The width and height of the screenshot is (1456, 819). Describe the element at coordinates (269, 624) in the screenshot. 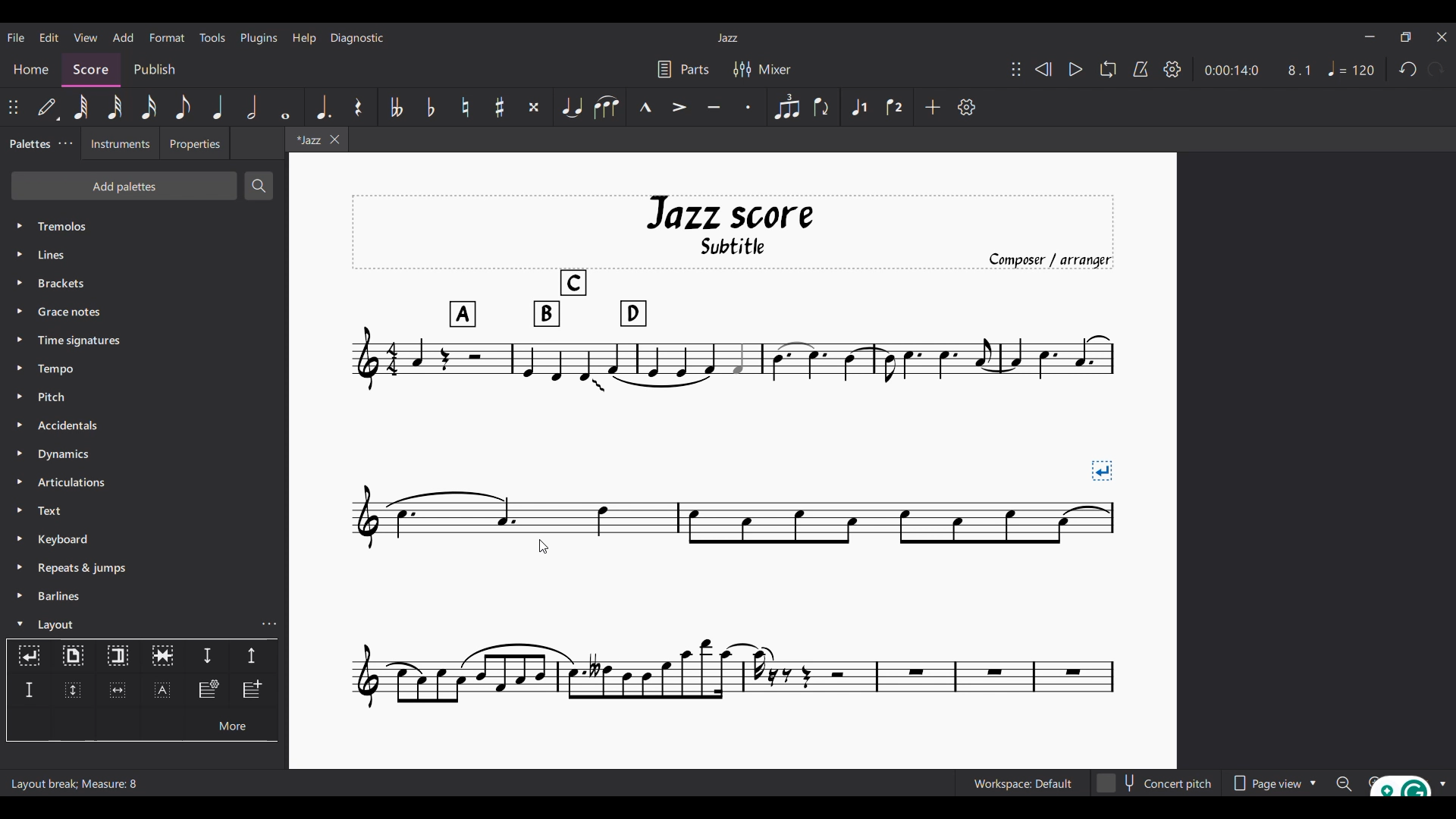

I see `Layout settings` at that location.